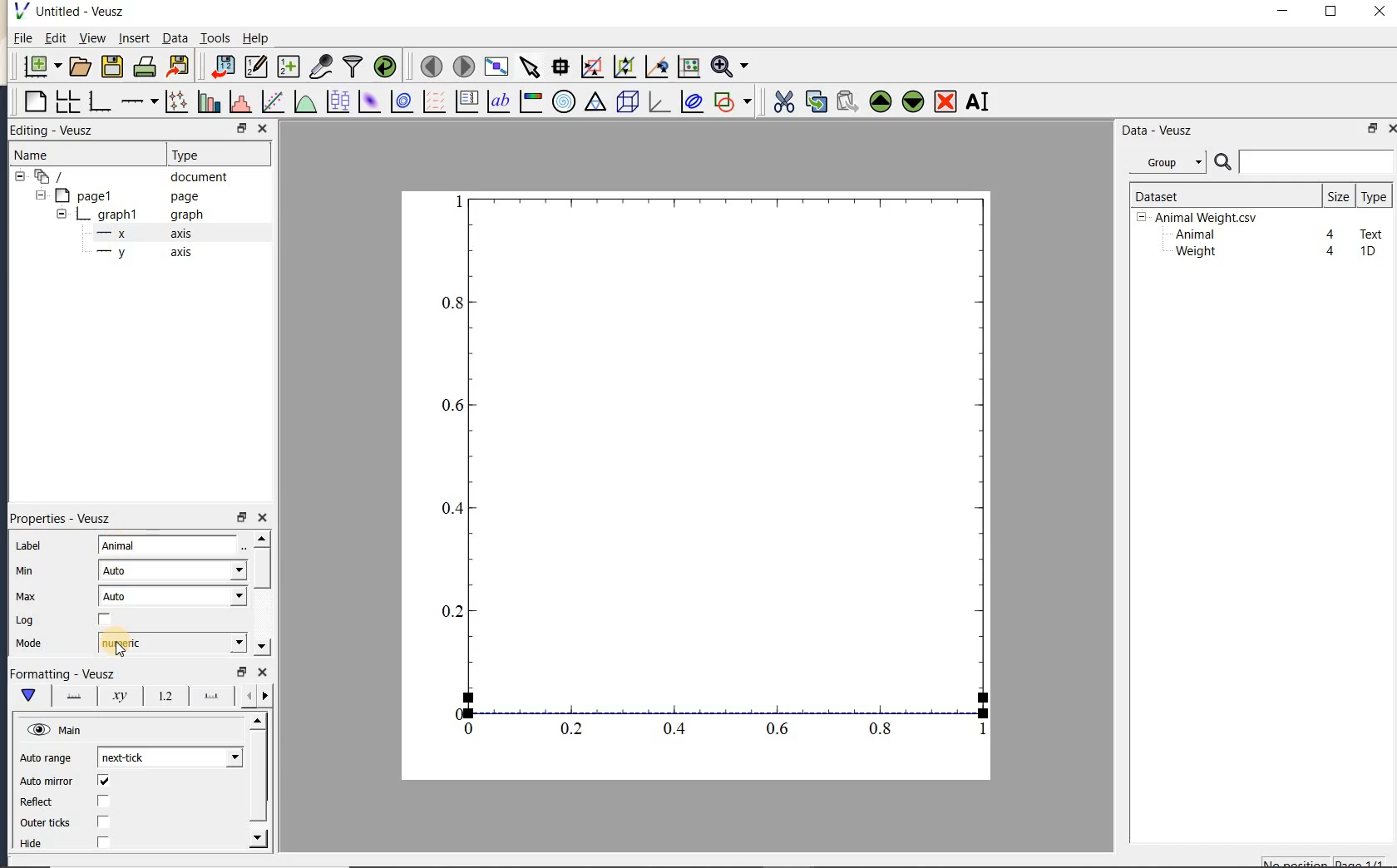  Describe the element at coordinates (44, 802) in the screenshot. I see `Reflect` at that location.